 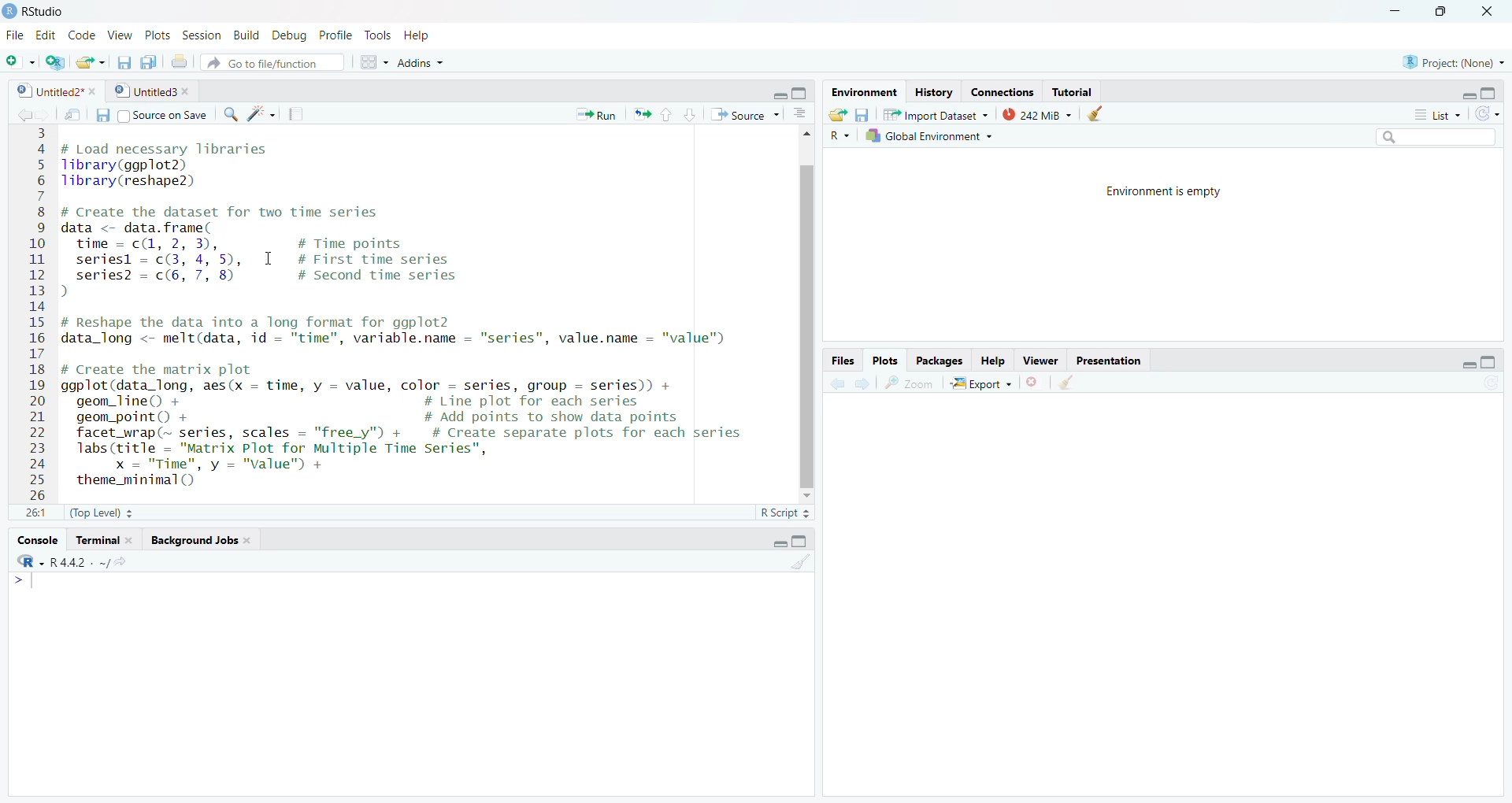 What do you see at coordinates (1066, 383) in the screenshot?
I see `cleaner` at bounding box center [1066, 383].